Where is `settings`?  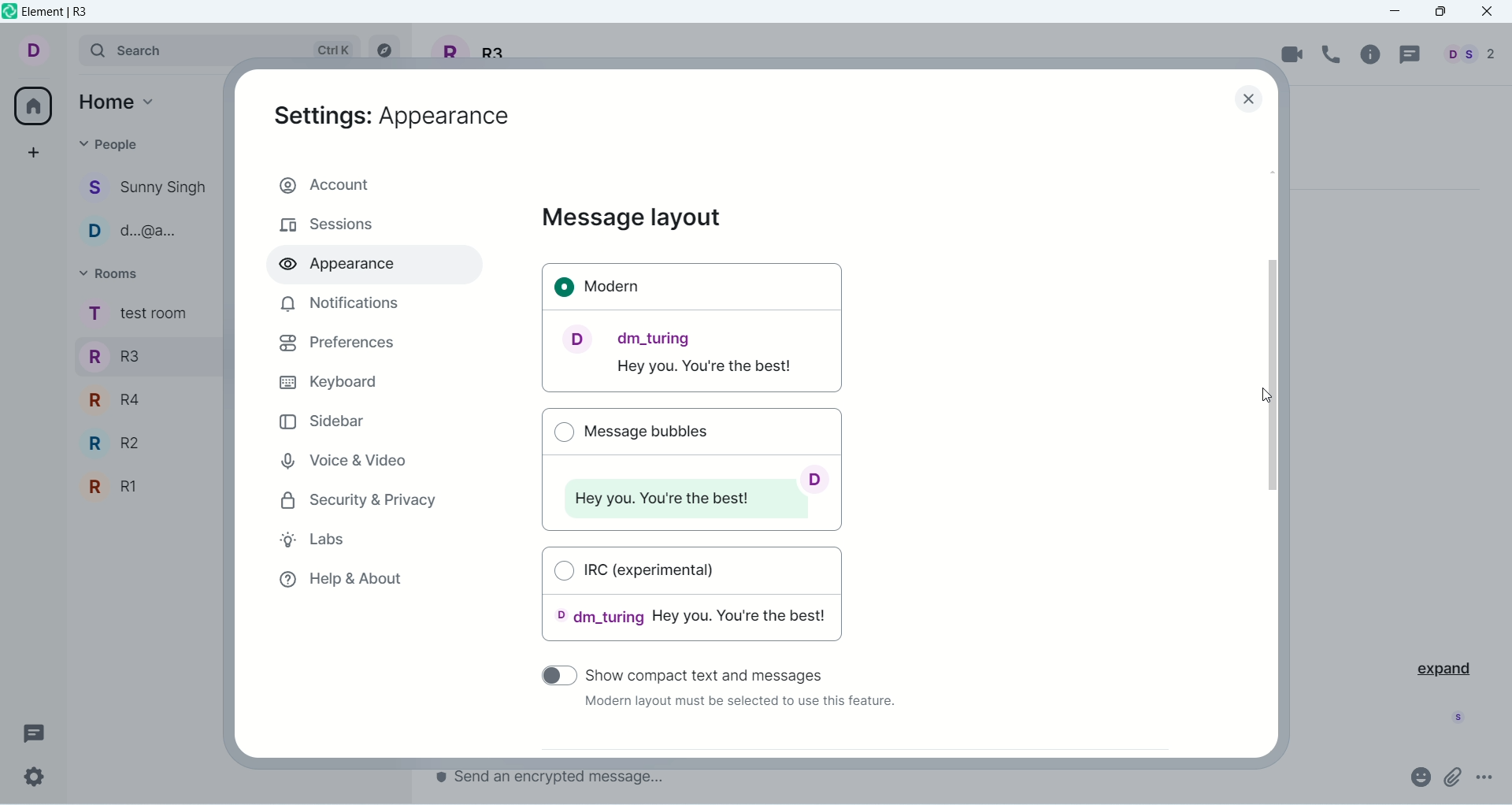
settings is located at coordinates (35, 777).